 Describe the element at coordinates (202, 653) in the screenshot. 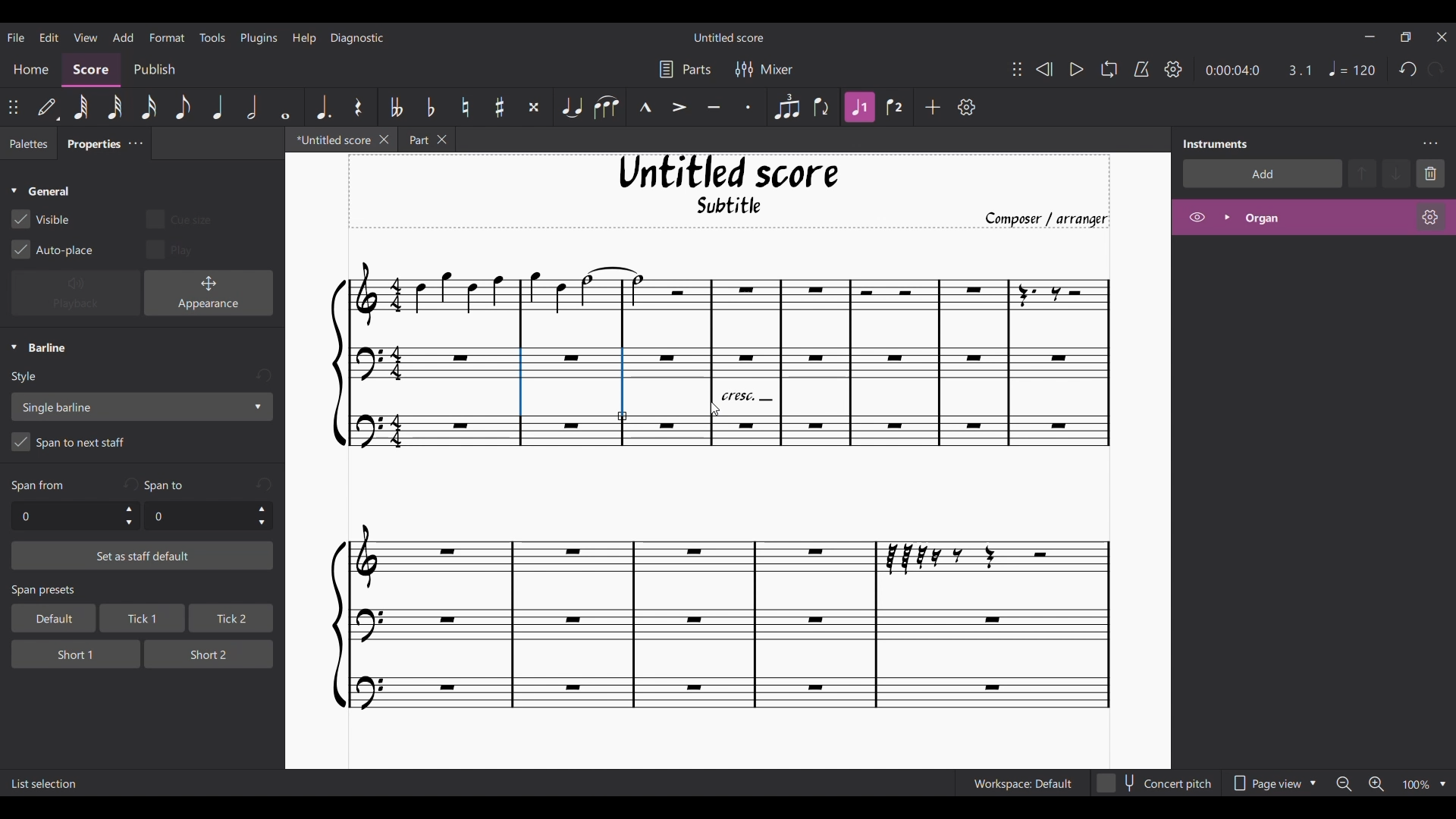

I see `short 2` at that location.